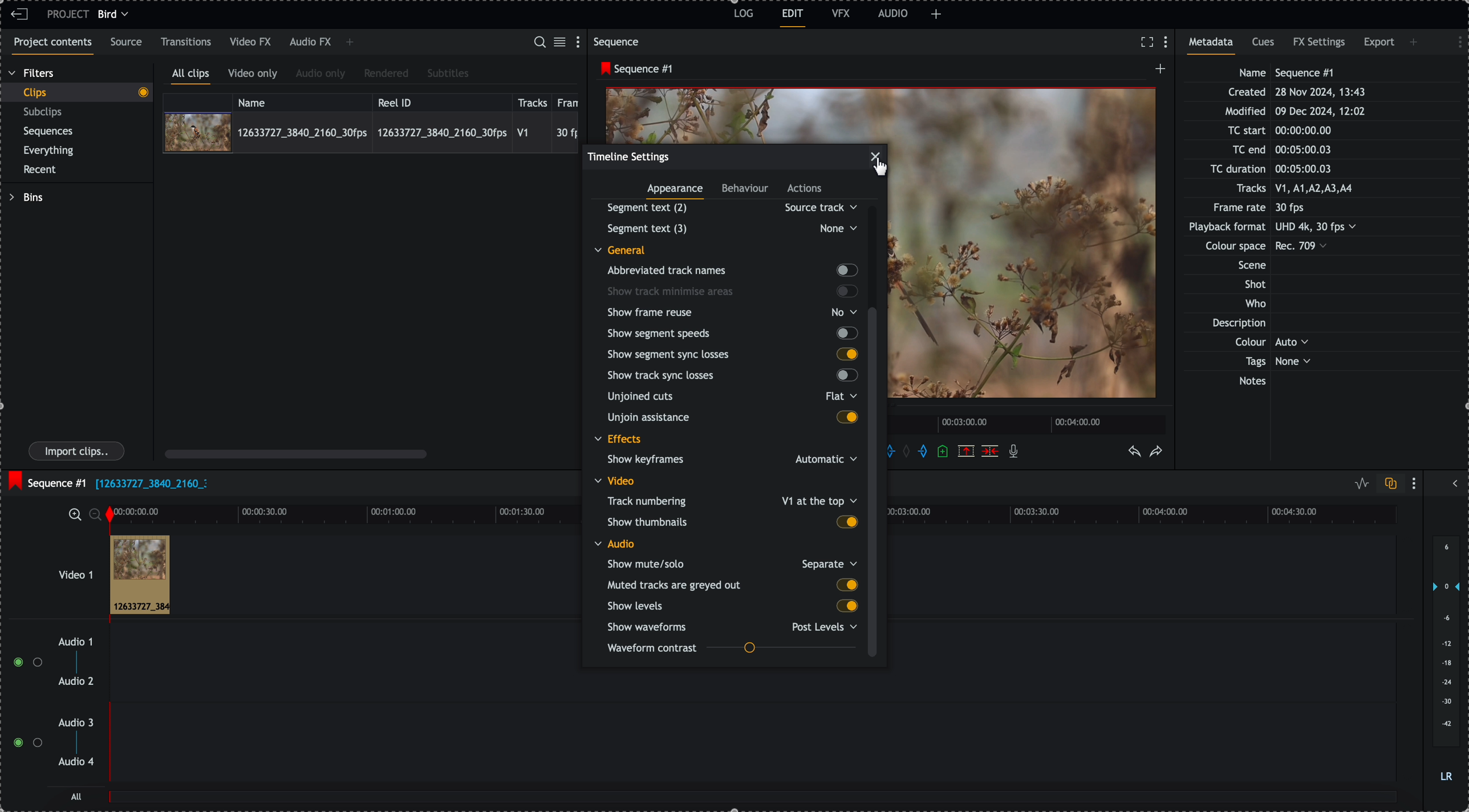 This screenshot has height=812, width=1469. What do you see at coordinates (46, 480) in the screenshot?
I see `sequence #1` at bounding box center [46, 480].